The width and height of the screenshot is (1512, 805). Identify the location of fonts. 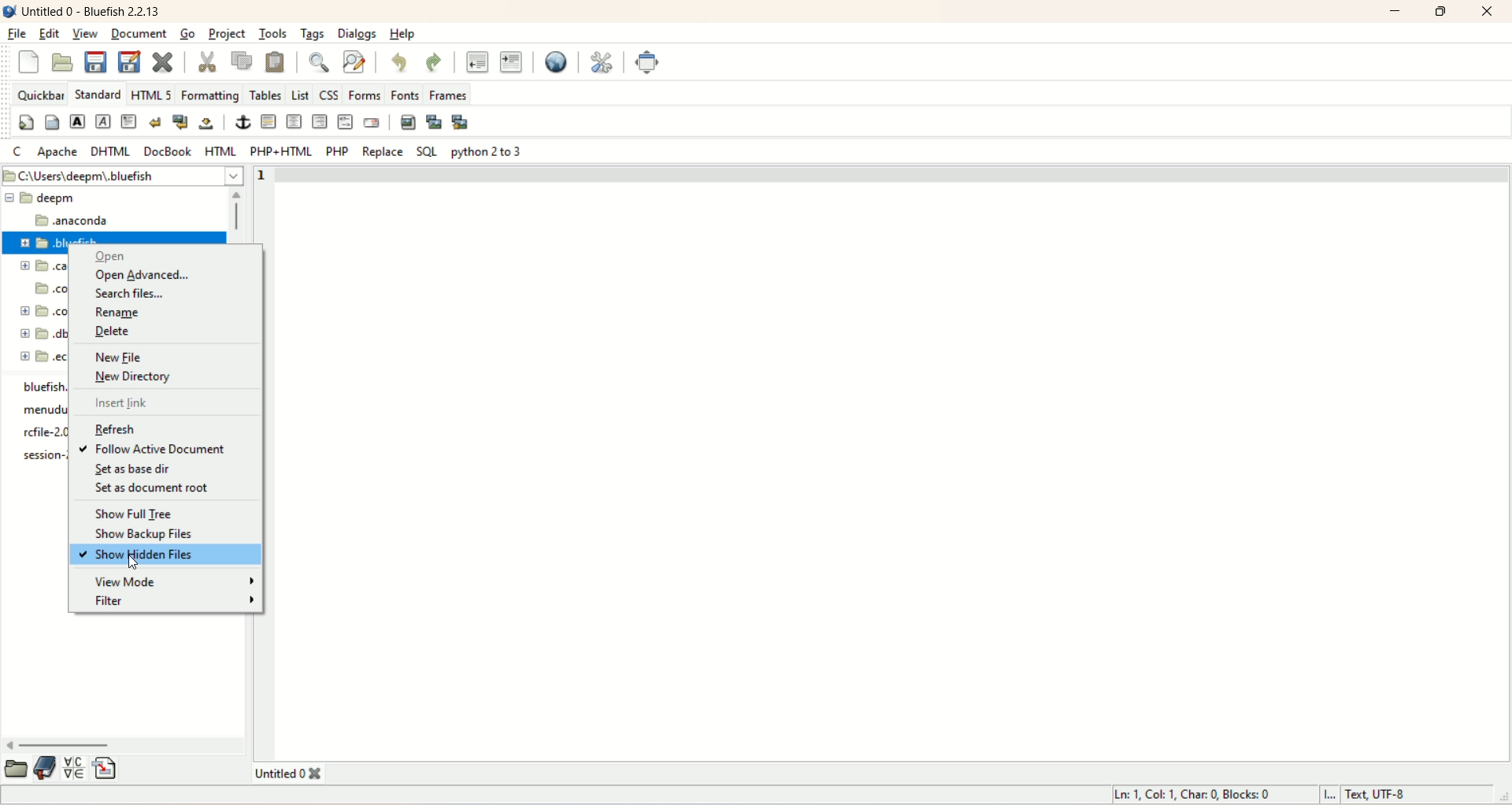
(404, 95).